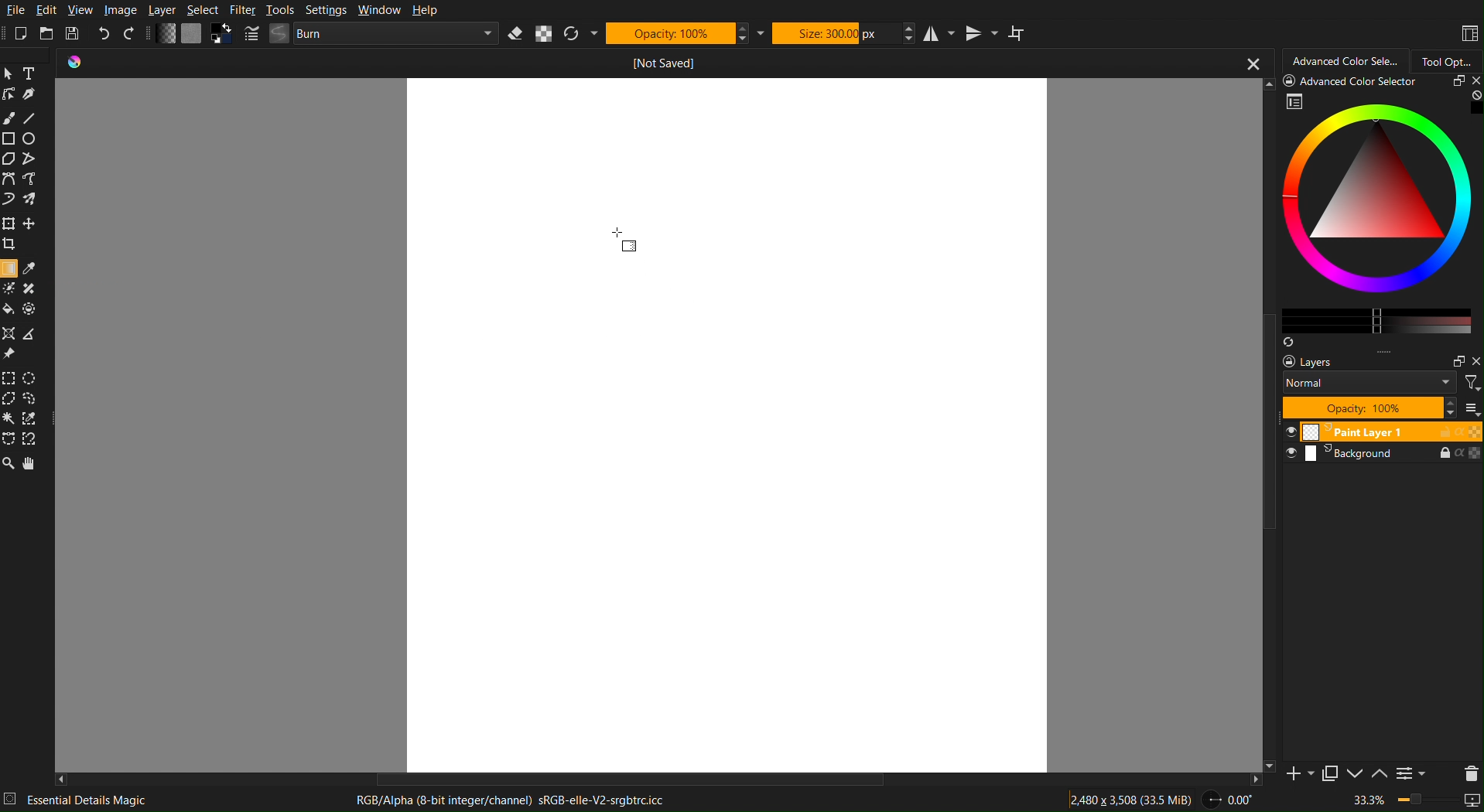 The image size is (1484, 812). I want to click on Horizontal Mirror, so click(939, 32).